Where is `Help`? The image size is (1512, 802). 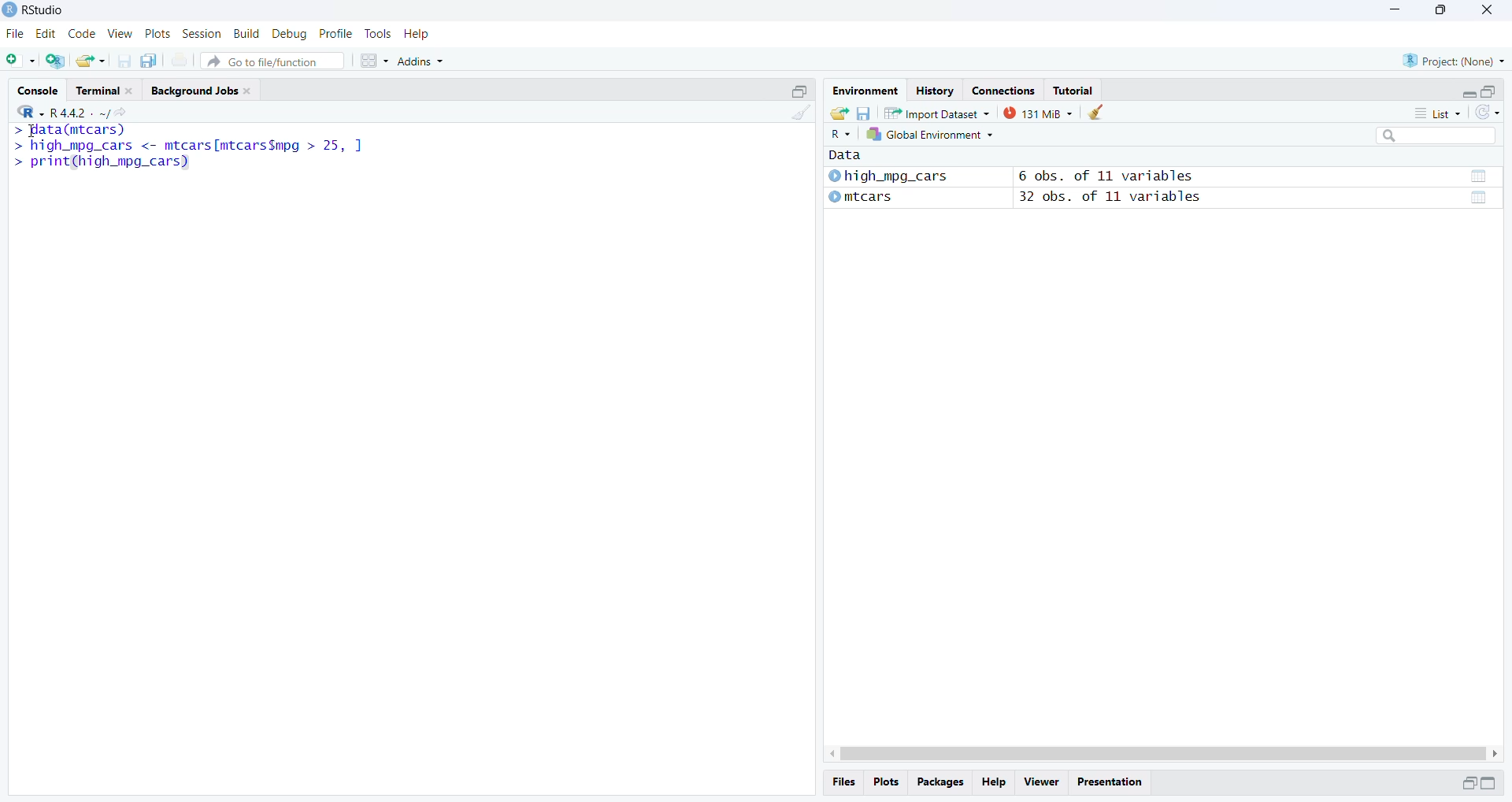 Help is located at coordinates (994, 783).